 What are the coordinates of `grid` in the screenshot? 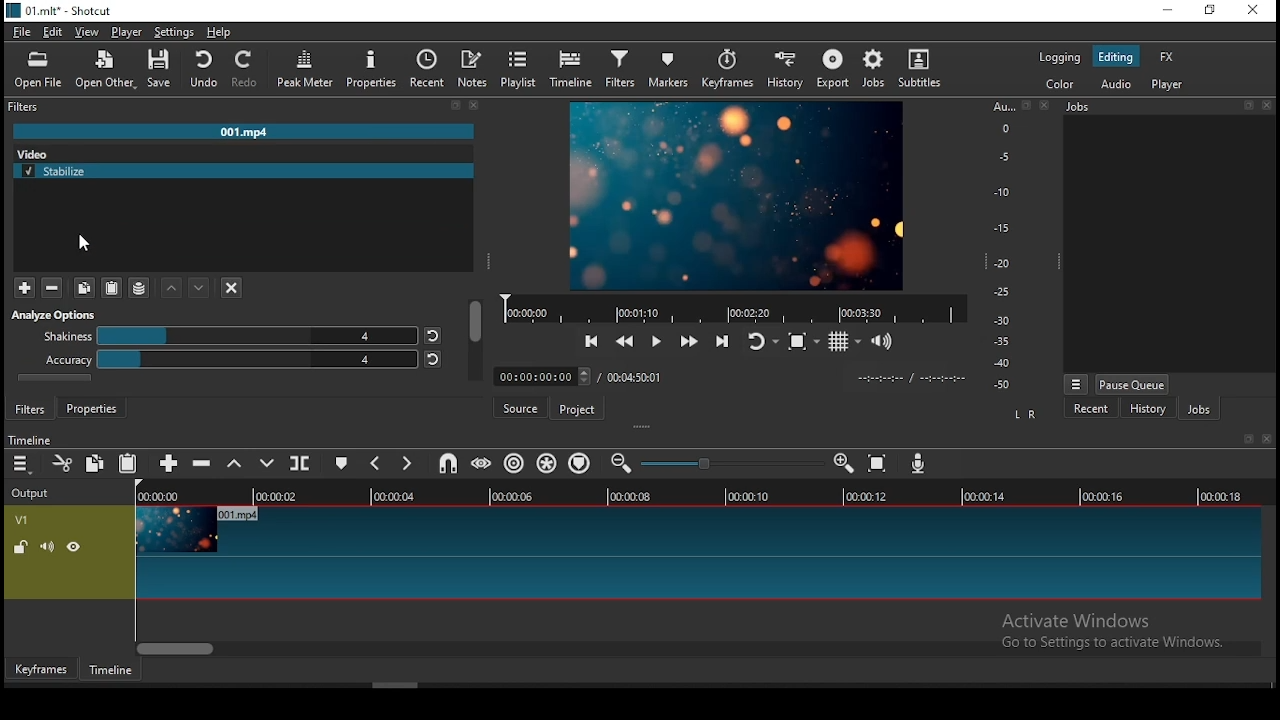 It's located at (841, 348).